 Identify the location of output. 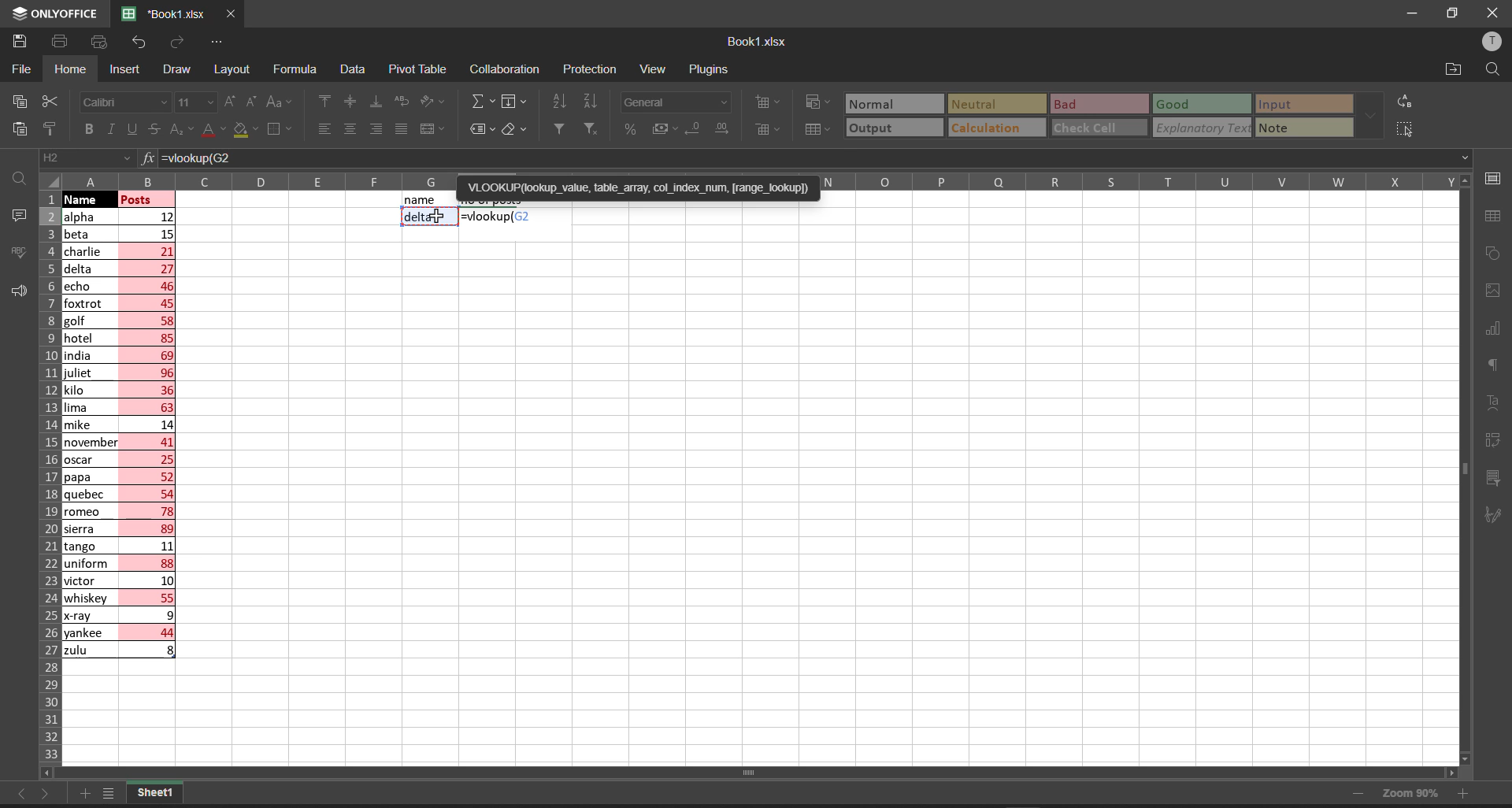
(876, 128).